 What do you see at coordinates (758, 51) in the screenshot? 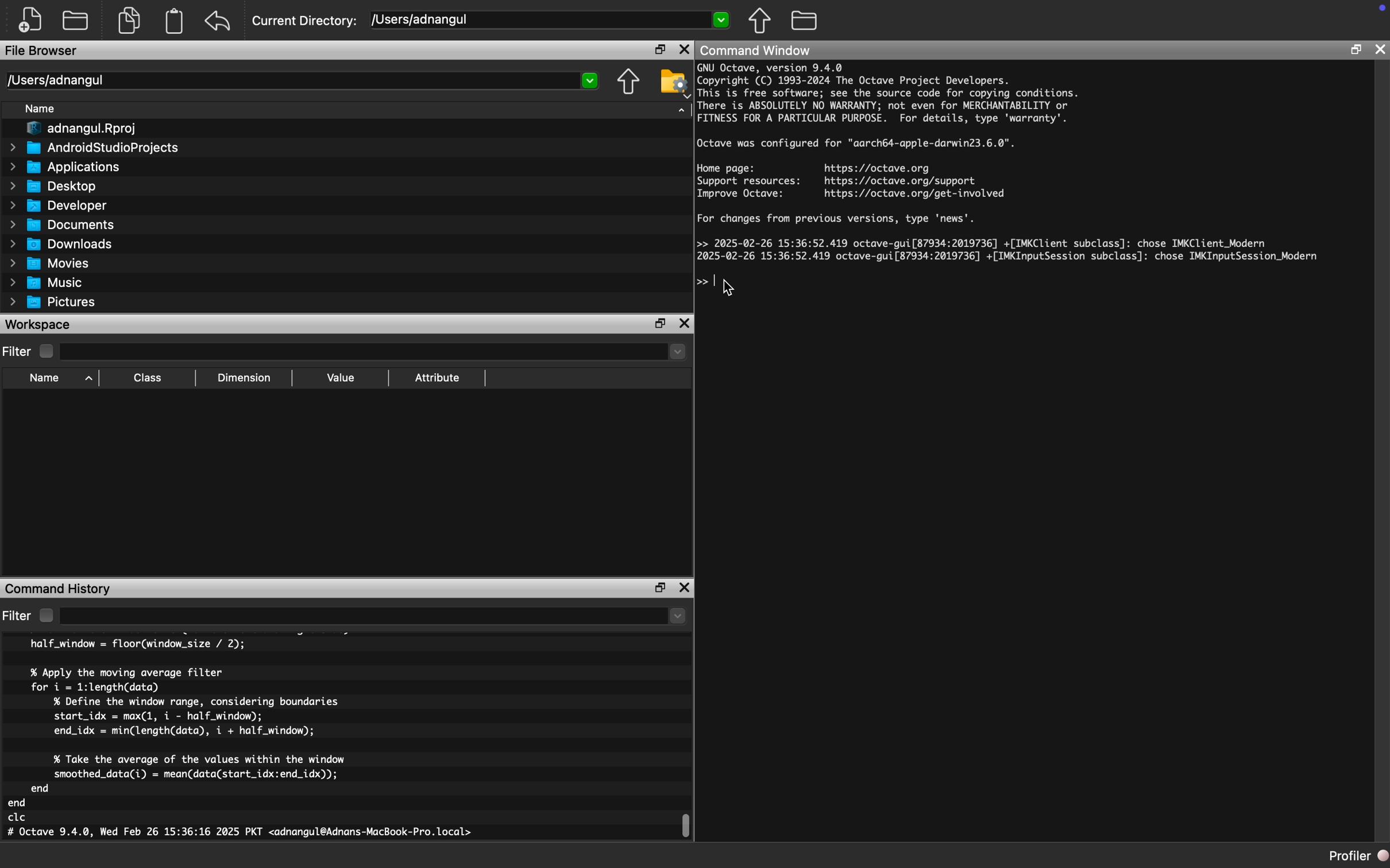
I see `Command Window` at bounding box center [758, 51].